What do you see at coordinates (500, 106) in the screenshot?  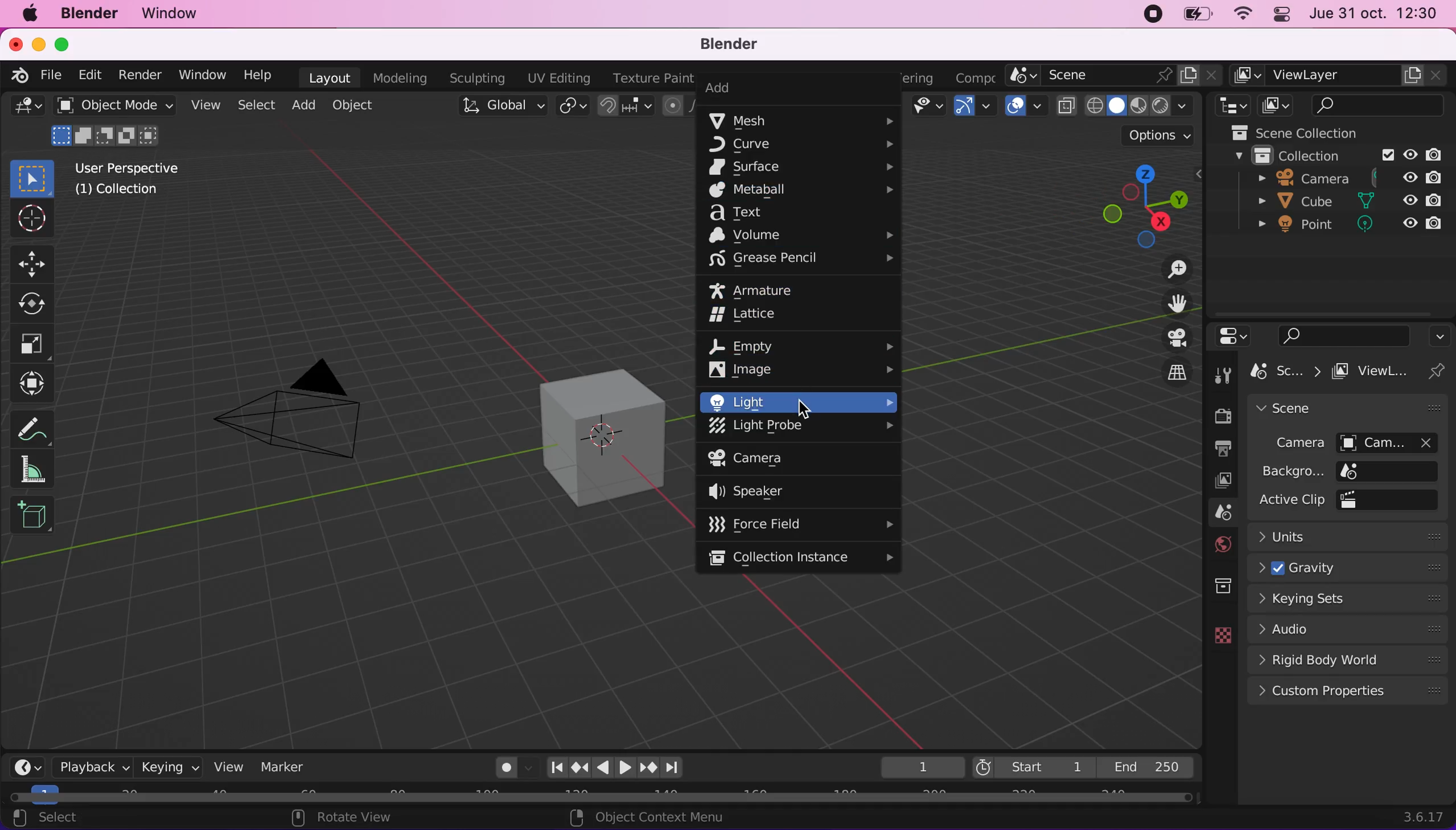 I see `transformation orientation` at bounding box center [500, 106].